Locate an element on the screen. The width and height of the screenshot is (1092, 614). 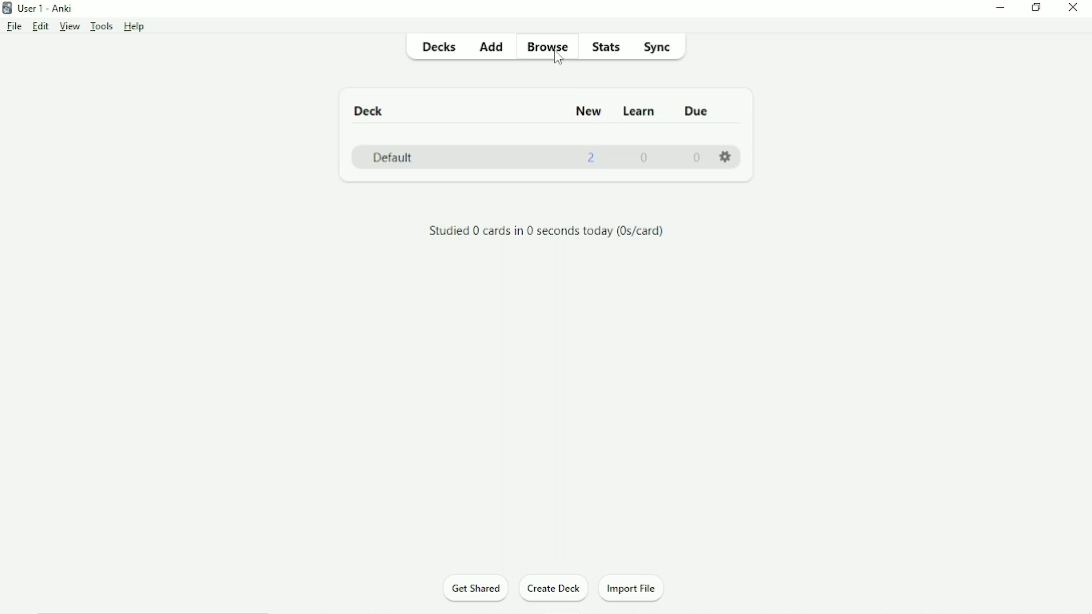
Get Shared is located at coordinates (473, 590).